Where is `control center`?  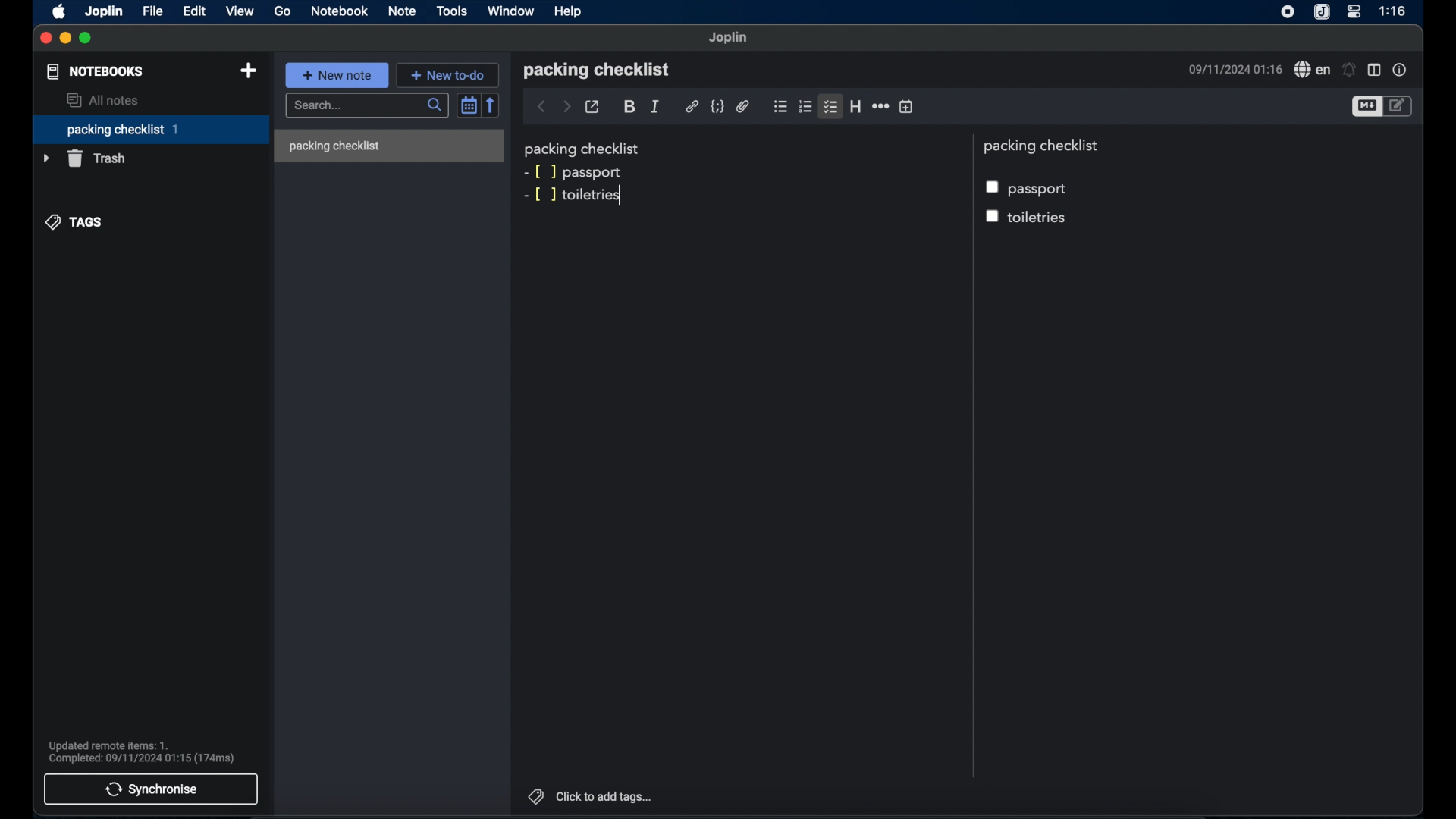
control center is located at coordinates (1355, 11).